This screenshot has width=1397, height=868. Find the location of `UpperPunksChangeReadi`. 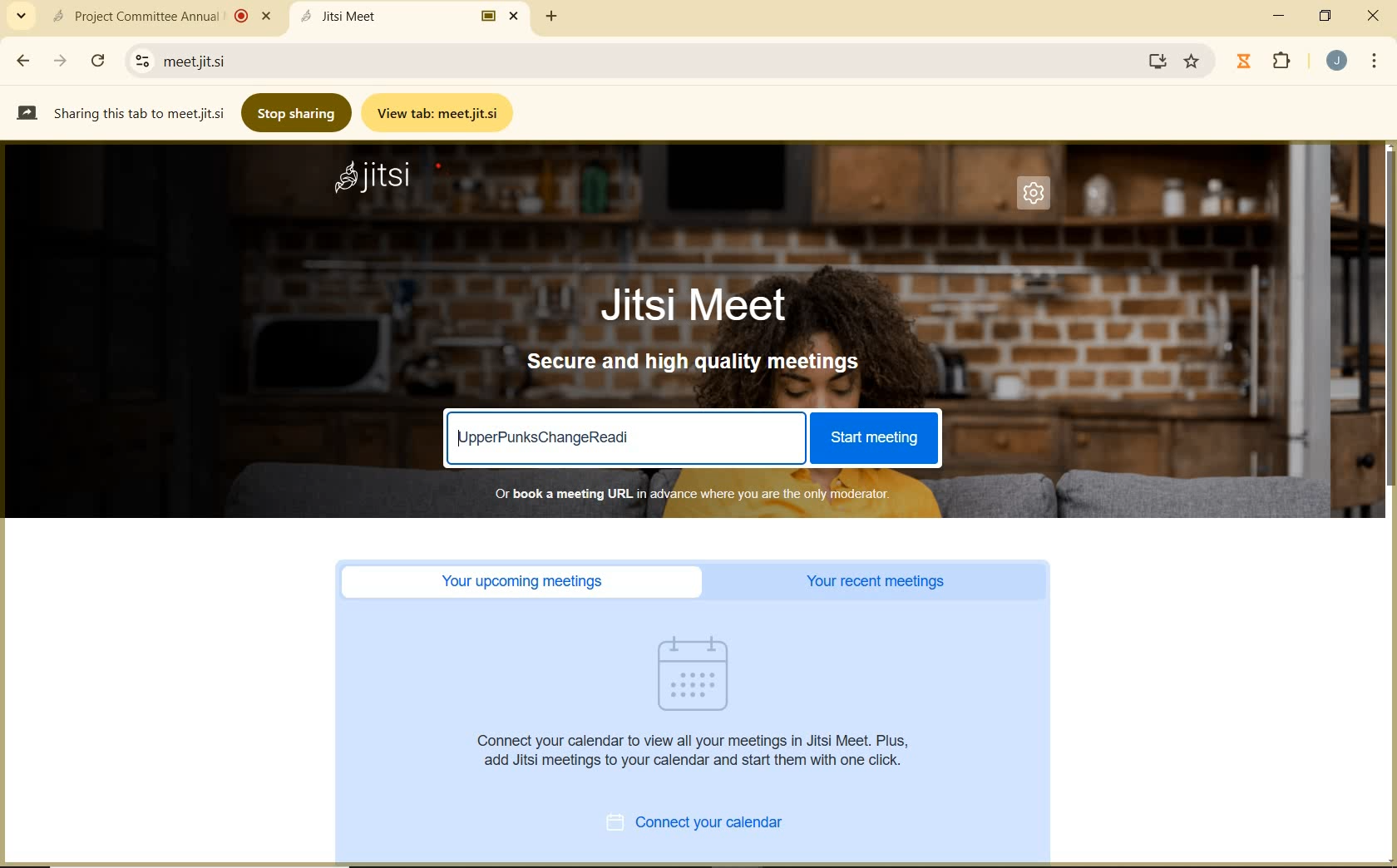

UpperPunksChangeReadi is located at coordinates (547, 436).